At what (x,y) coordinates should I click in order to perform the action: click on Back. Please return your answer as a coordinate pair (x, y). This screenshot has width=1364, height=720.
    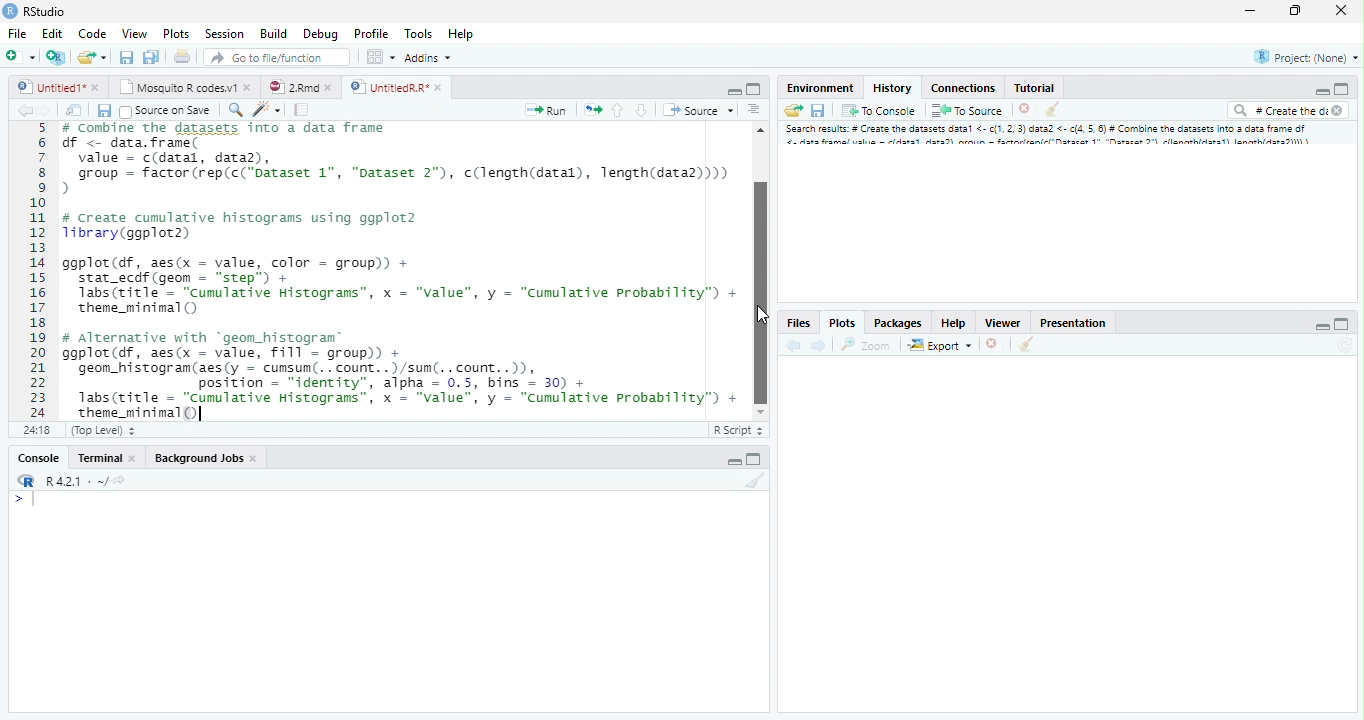
    Looking at the image, I should click on (17, 113).